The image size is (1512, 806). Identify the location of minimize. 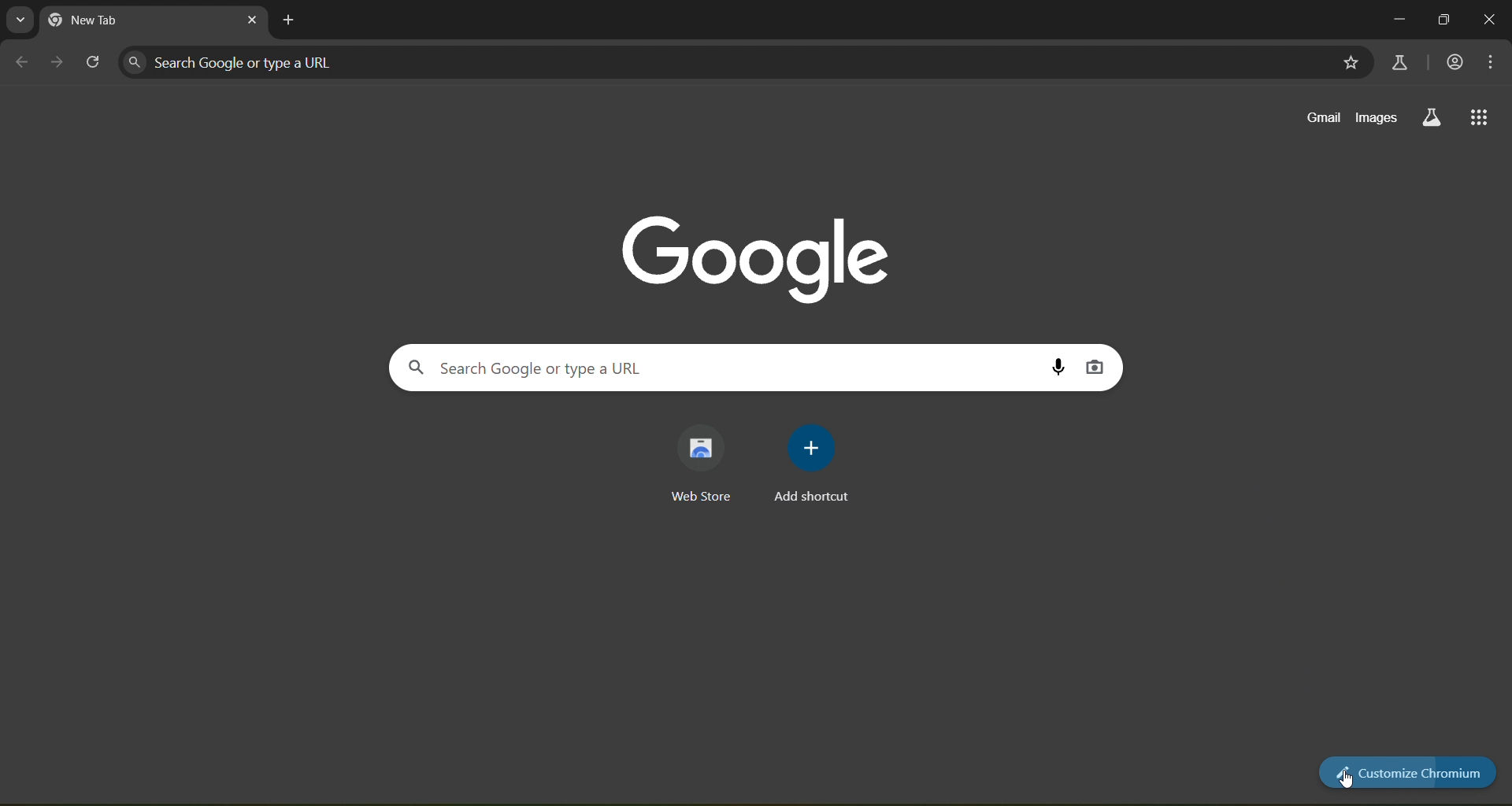
(1392, 18).